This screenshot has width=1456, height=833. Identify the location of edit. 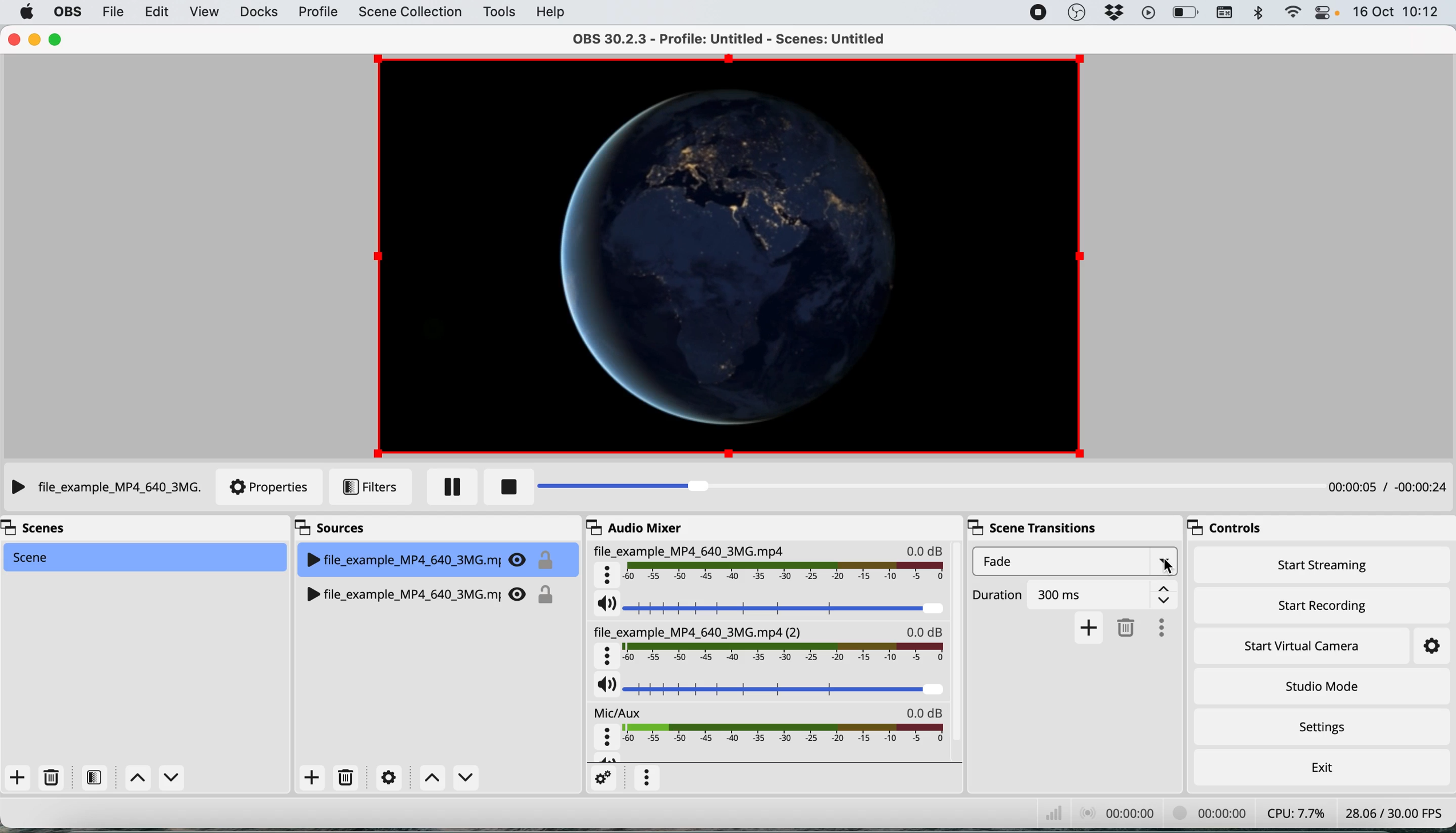
(158, 11).